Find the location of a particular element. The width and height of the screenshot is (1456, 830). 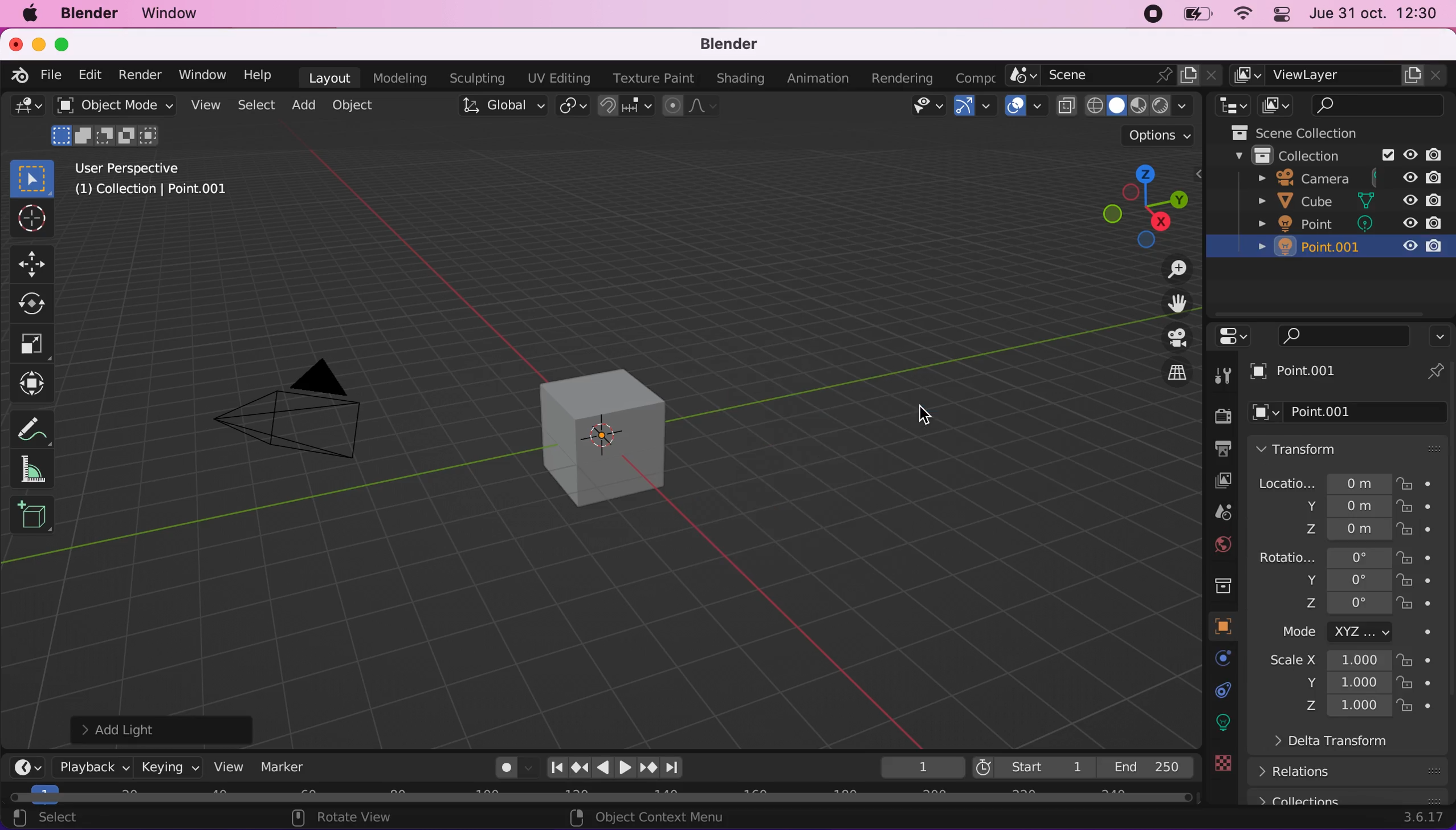

toggle display view is located at coordinates (1168, 337).